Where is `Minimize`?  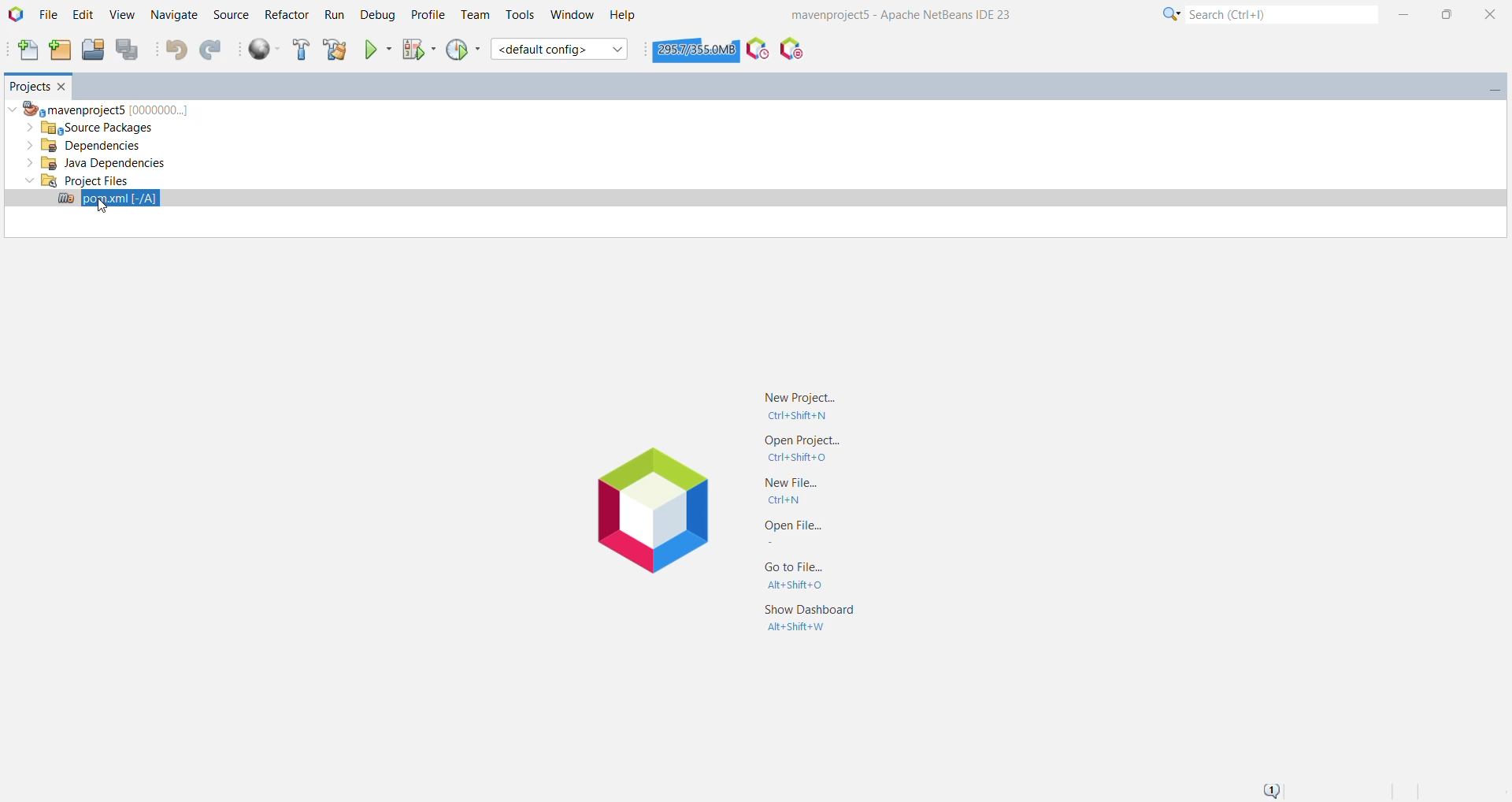
Minimize is located at coordinates (1404, 12).